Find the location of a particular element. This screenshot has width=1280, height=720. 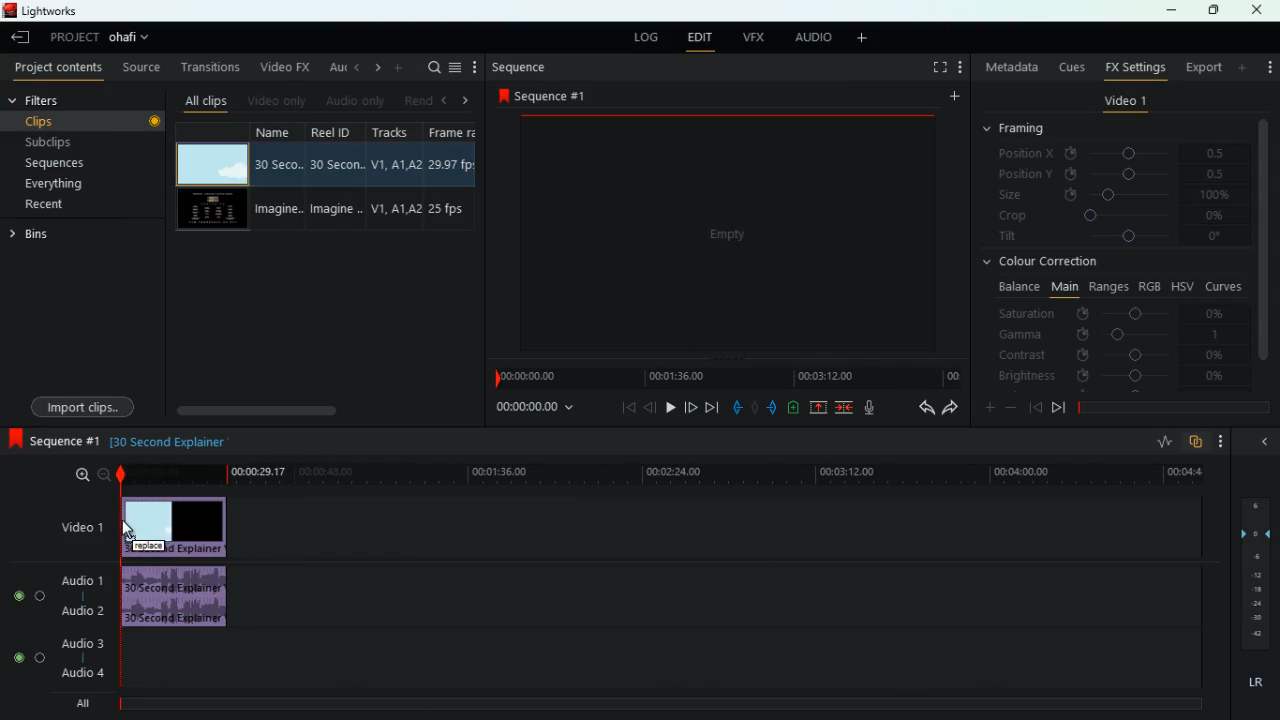

clips is located at coordinates (87, 120).